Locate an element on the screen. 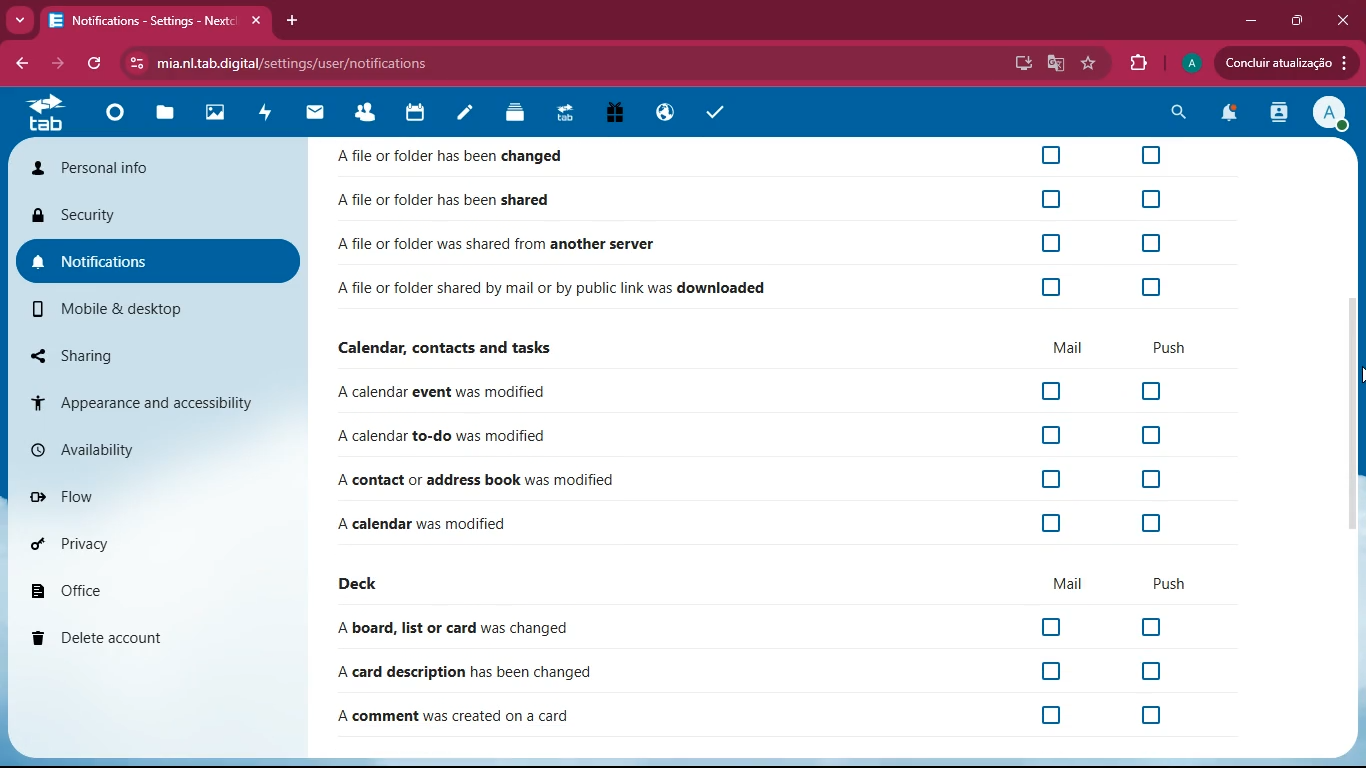  tasks is located at coordinates (718, 114).